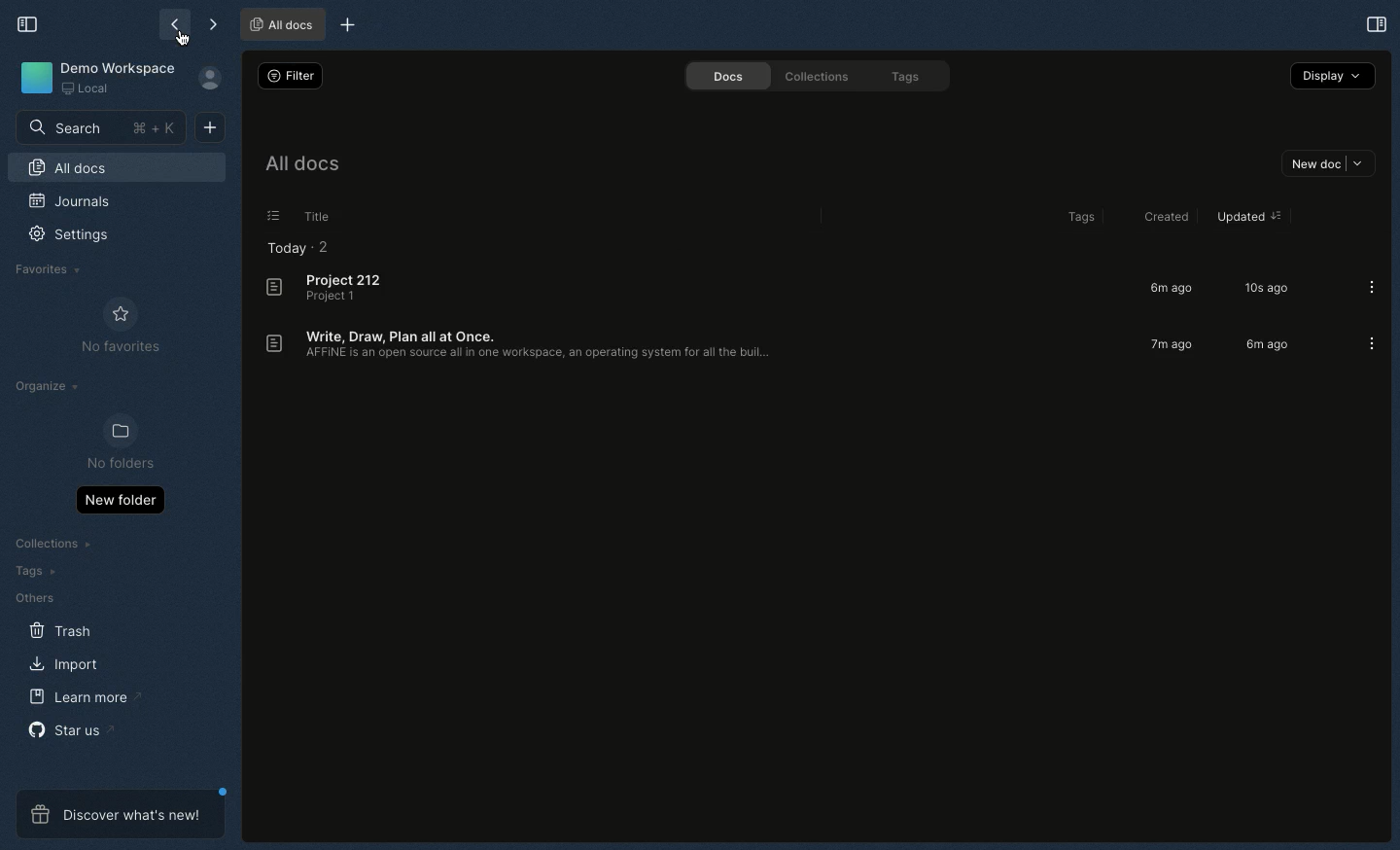  I want to click on 10s ago., so click(1263, 288).